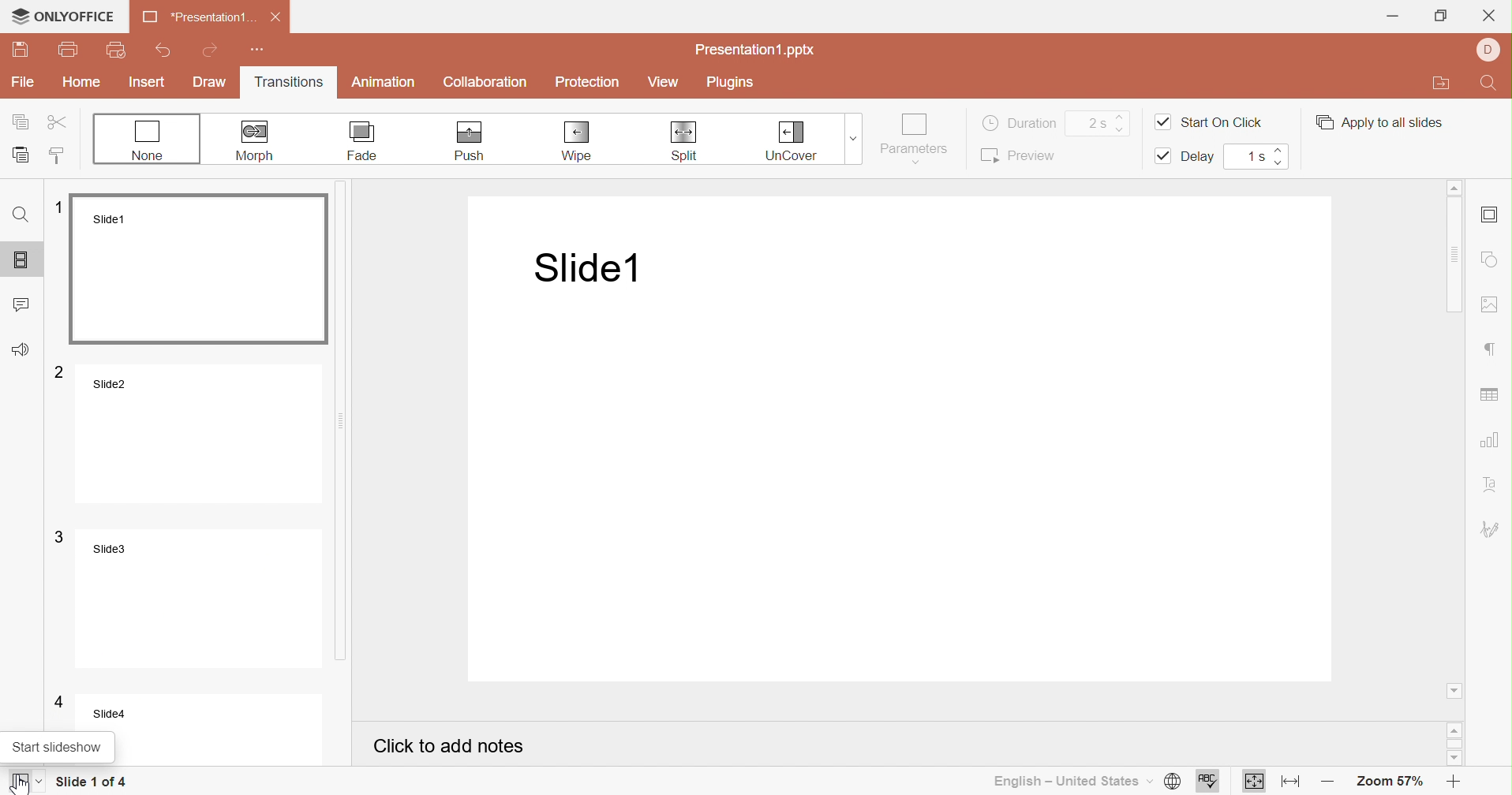 The width and height of the screenshot is (1512, 795). I want to click on None, so click(148, 140).